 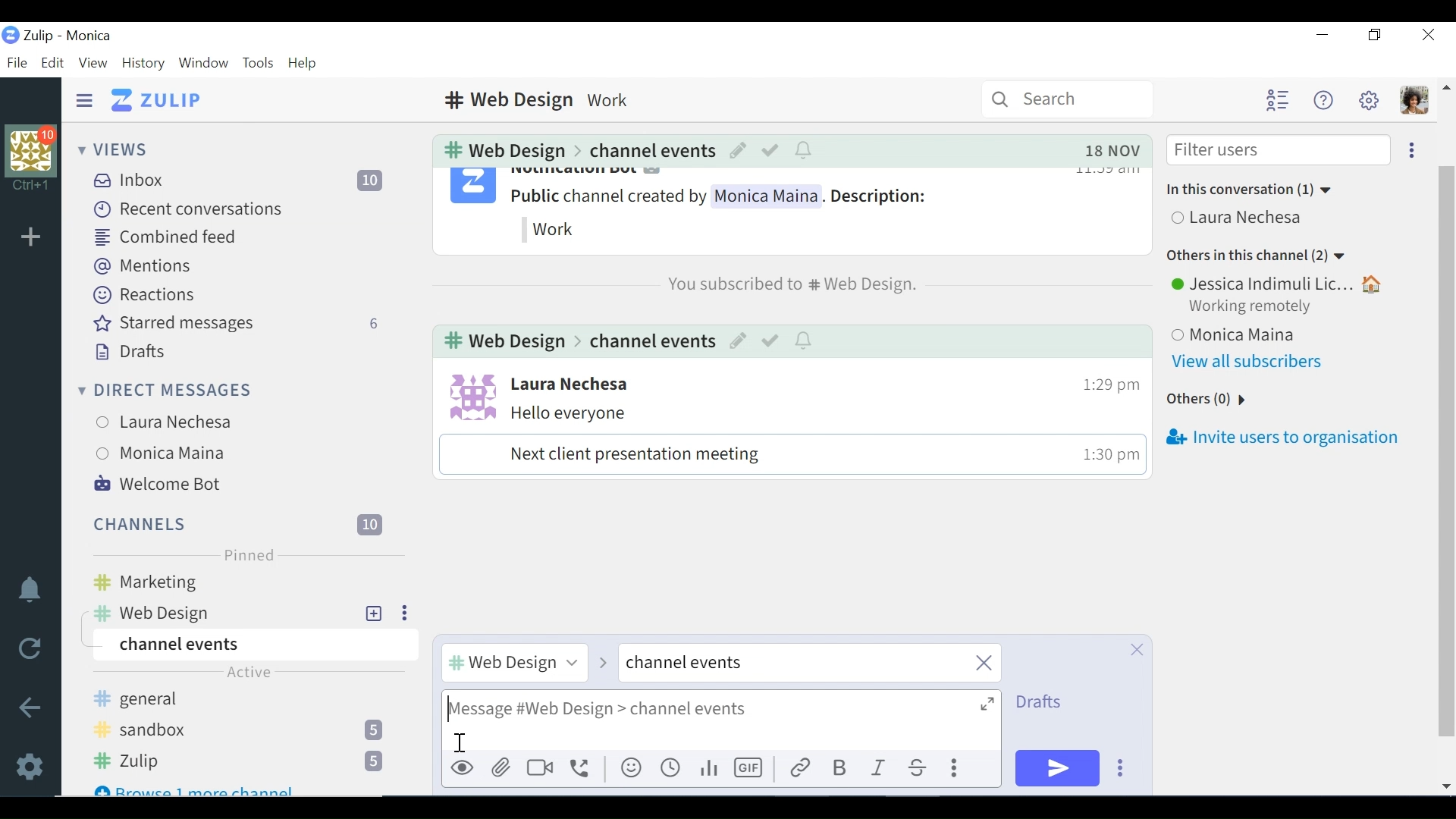 What do you see at coordinates (721, 720) in the screenshot?
I see `Compose message` at bounding box center [721, 720].